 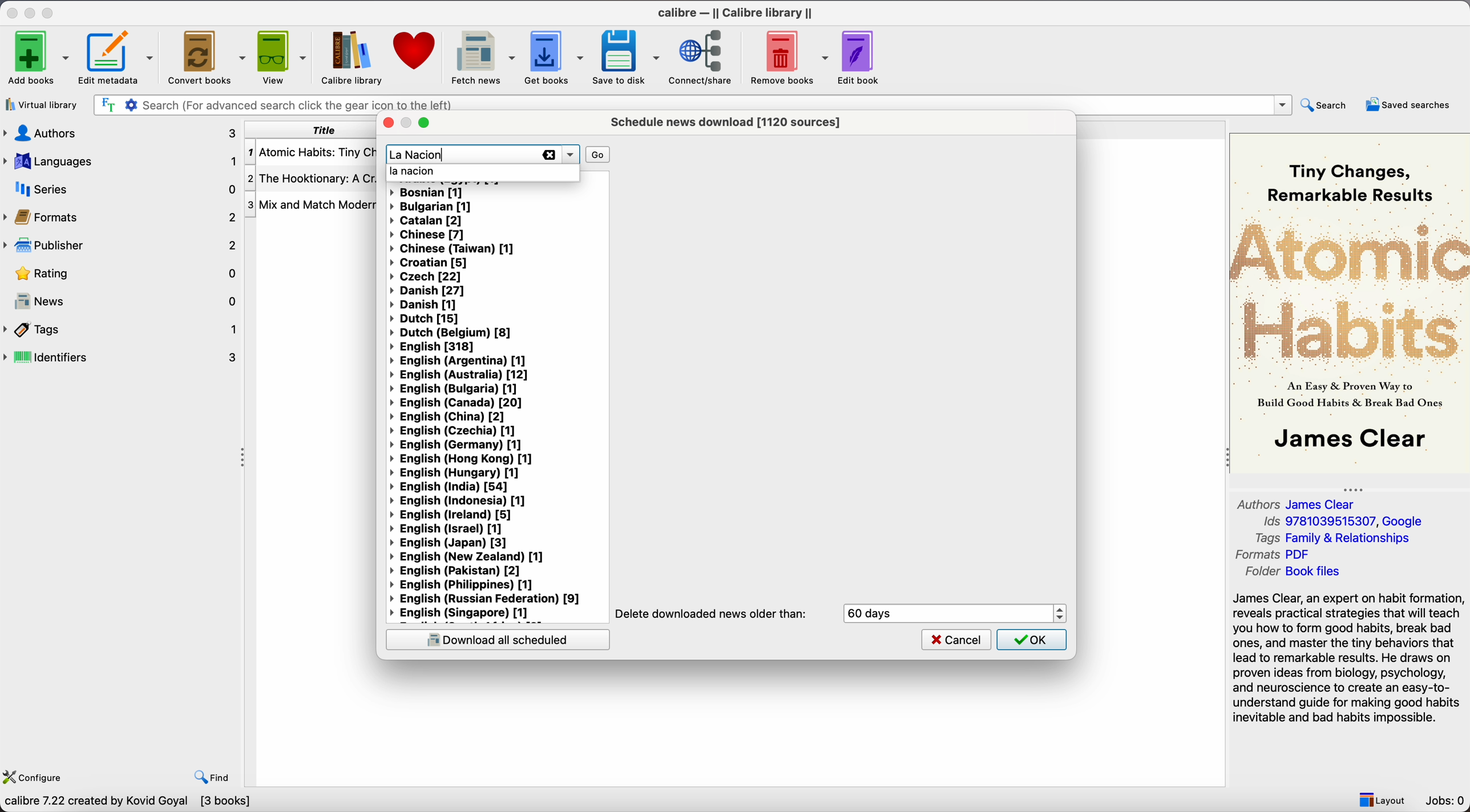 What do you see at coordinates (729, 122) in the screenshot?
I see `schedule news download [1120 sources]` at bounding box center [729, 122].